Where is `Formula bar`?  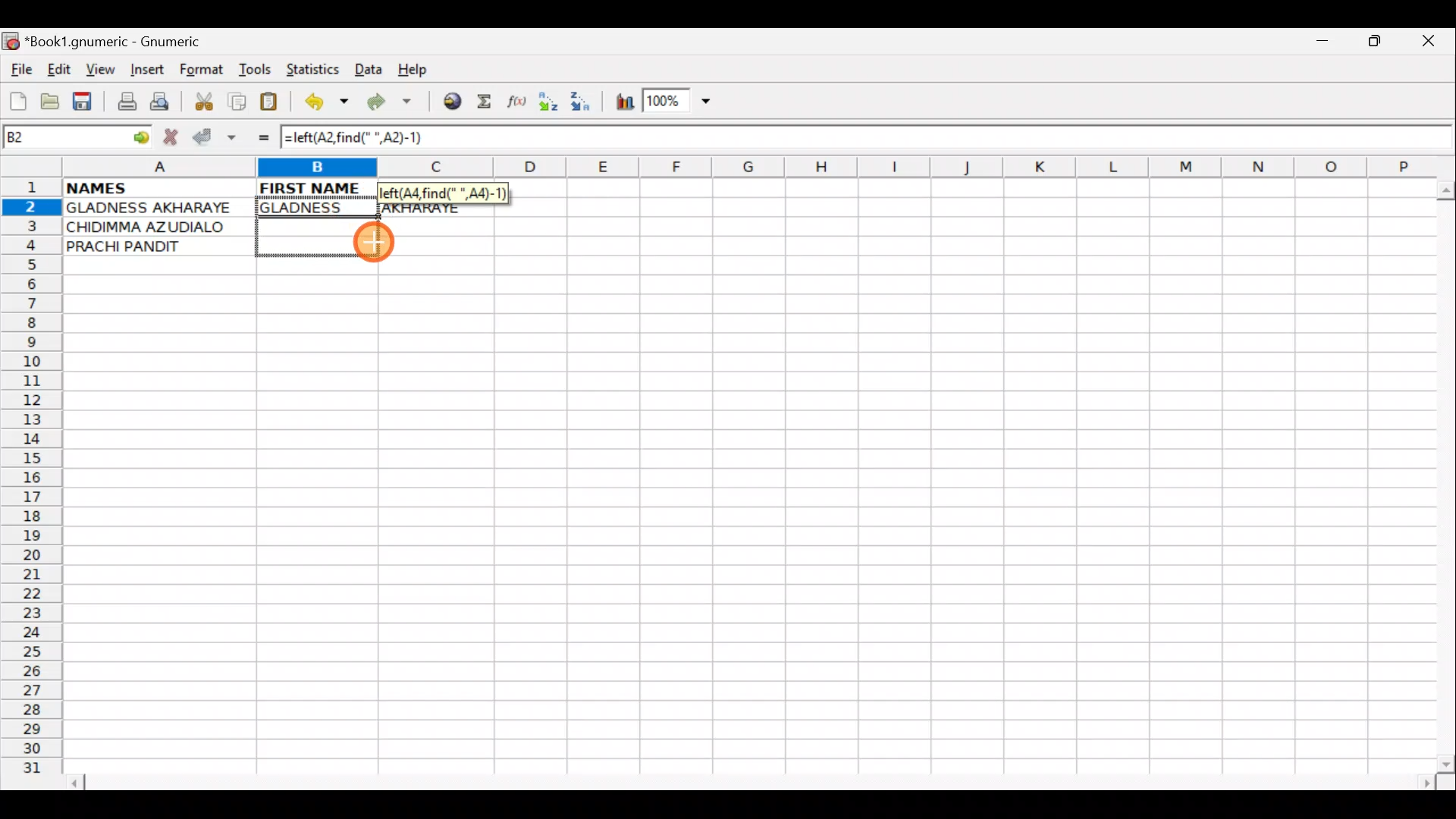 Formula bar is located at coordinates (952, 142).